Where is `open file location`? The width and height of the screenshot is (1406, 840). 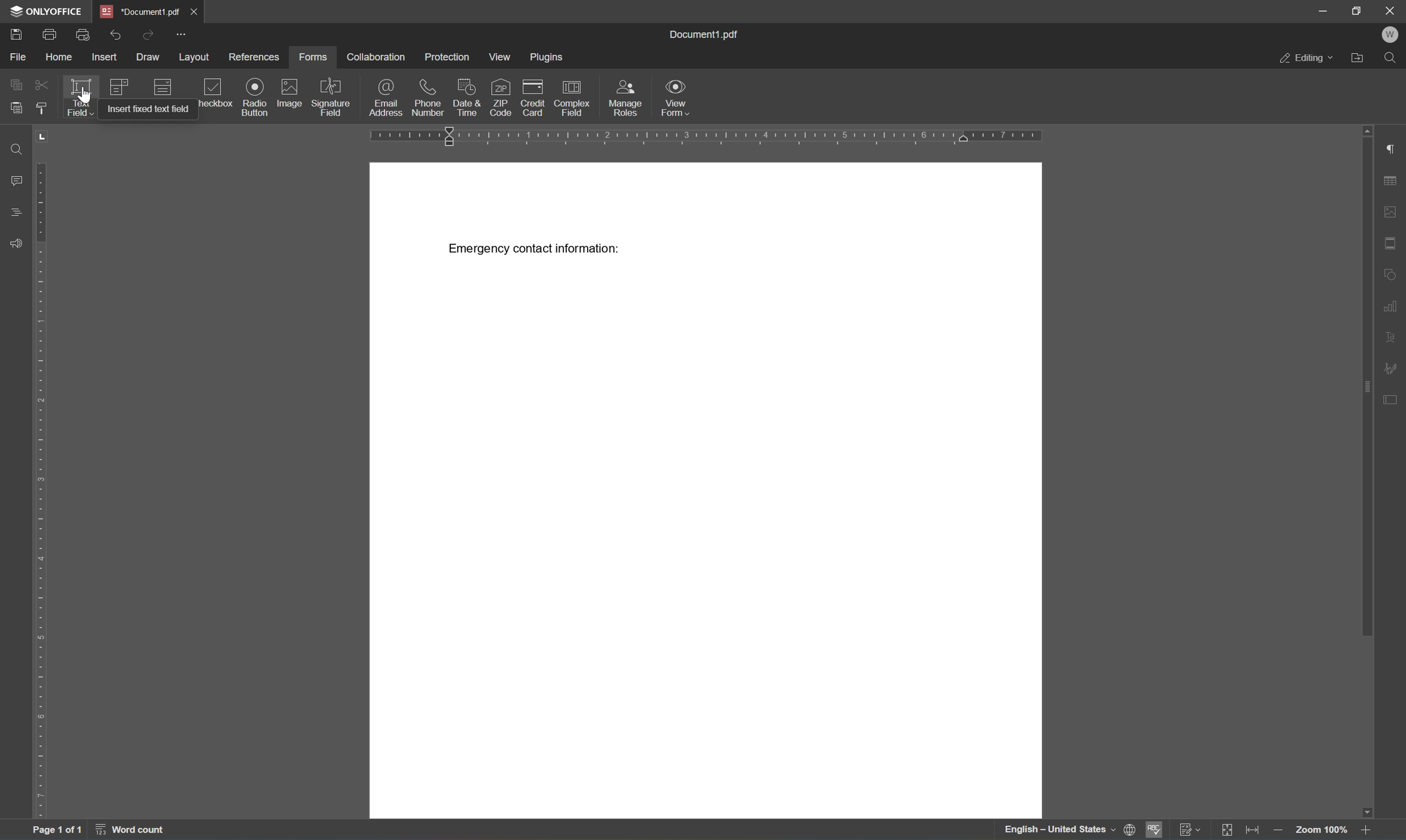
open file location is located at coordinates (1356, 58).